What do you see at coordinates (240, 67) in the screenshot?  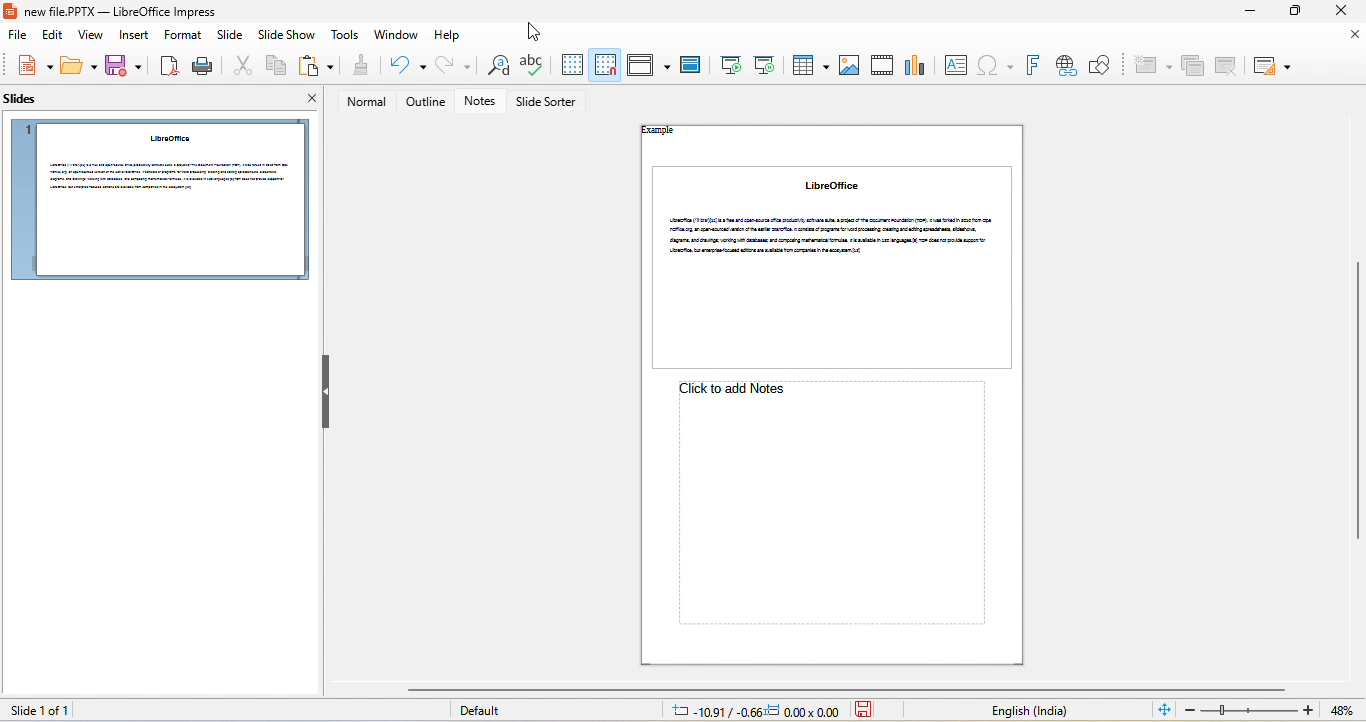 I see `cut` at bounding box center [240, 67].